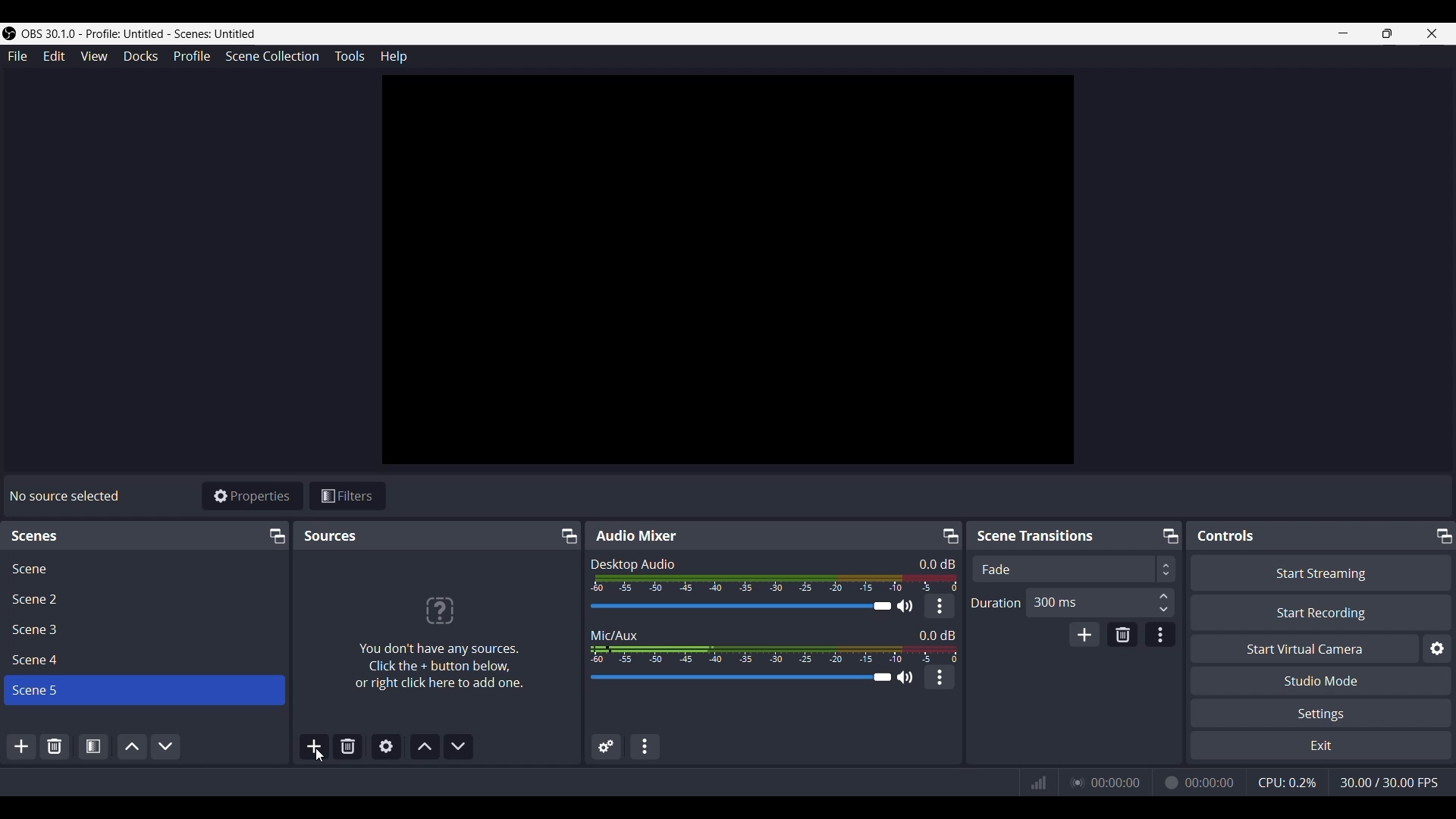 Image resolution: width=1456 pixels, height=819 pixels. Describe the element at coordinates (1386, 34) in the screenshot. I see `Maximize` at that location.